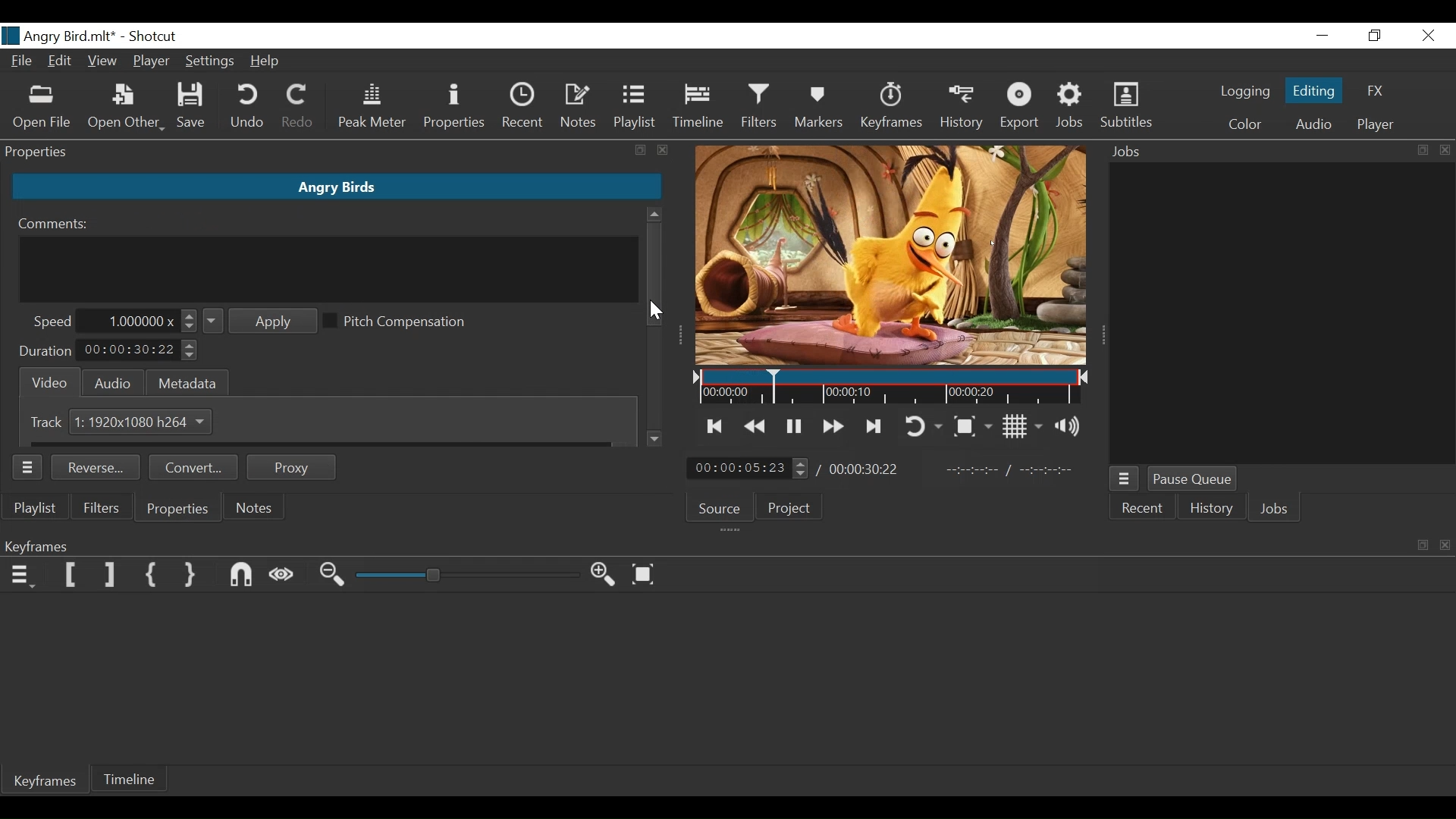  What do you see at coordinates (139, 321) in the screenshot?
I see `Speed Field` at bounding box center [139, 321].